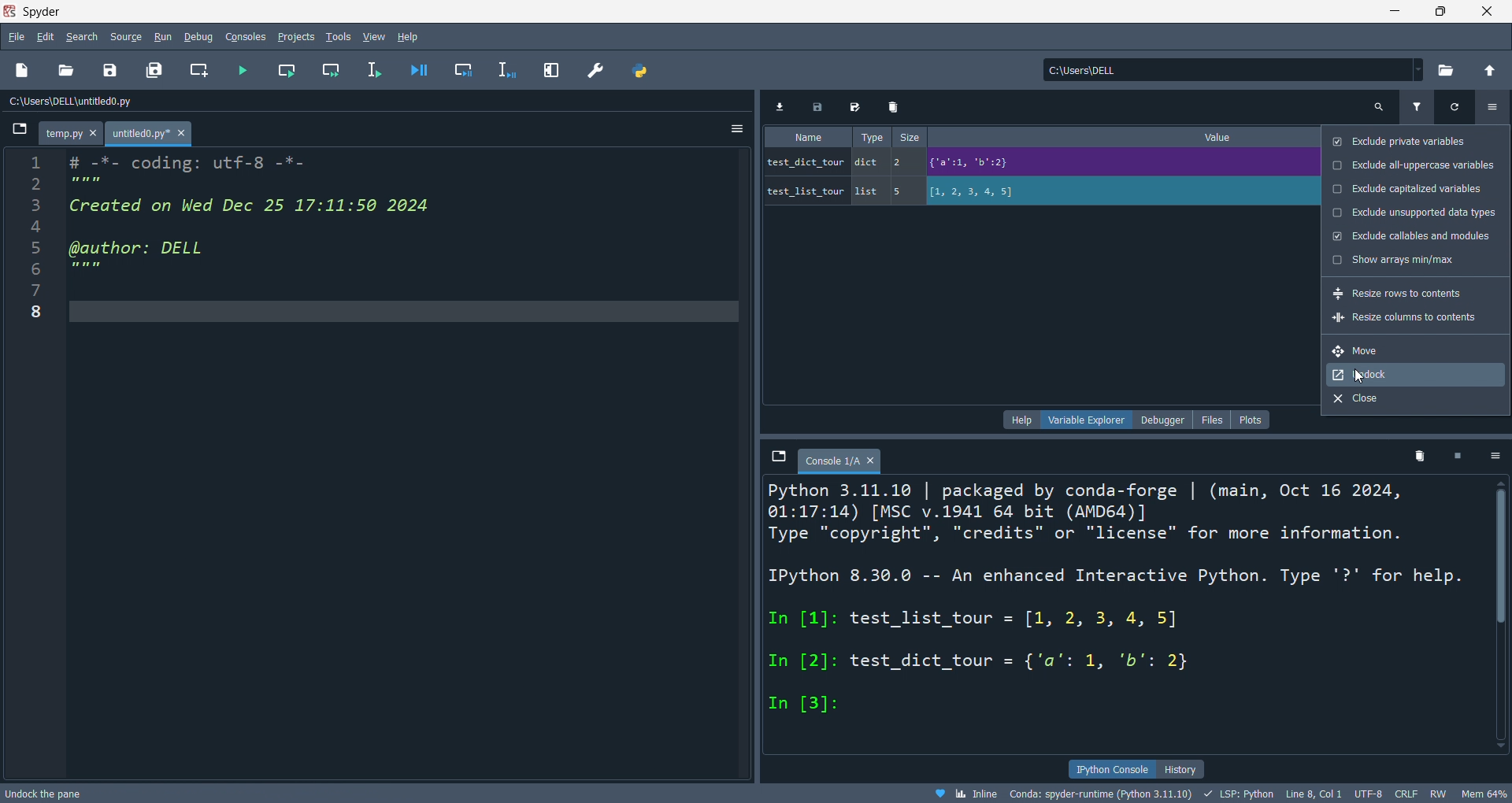  Describe the element at coordinates (1118, 136) in the screenshot. I see `value` at that location.